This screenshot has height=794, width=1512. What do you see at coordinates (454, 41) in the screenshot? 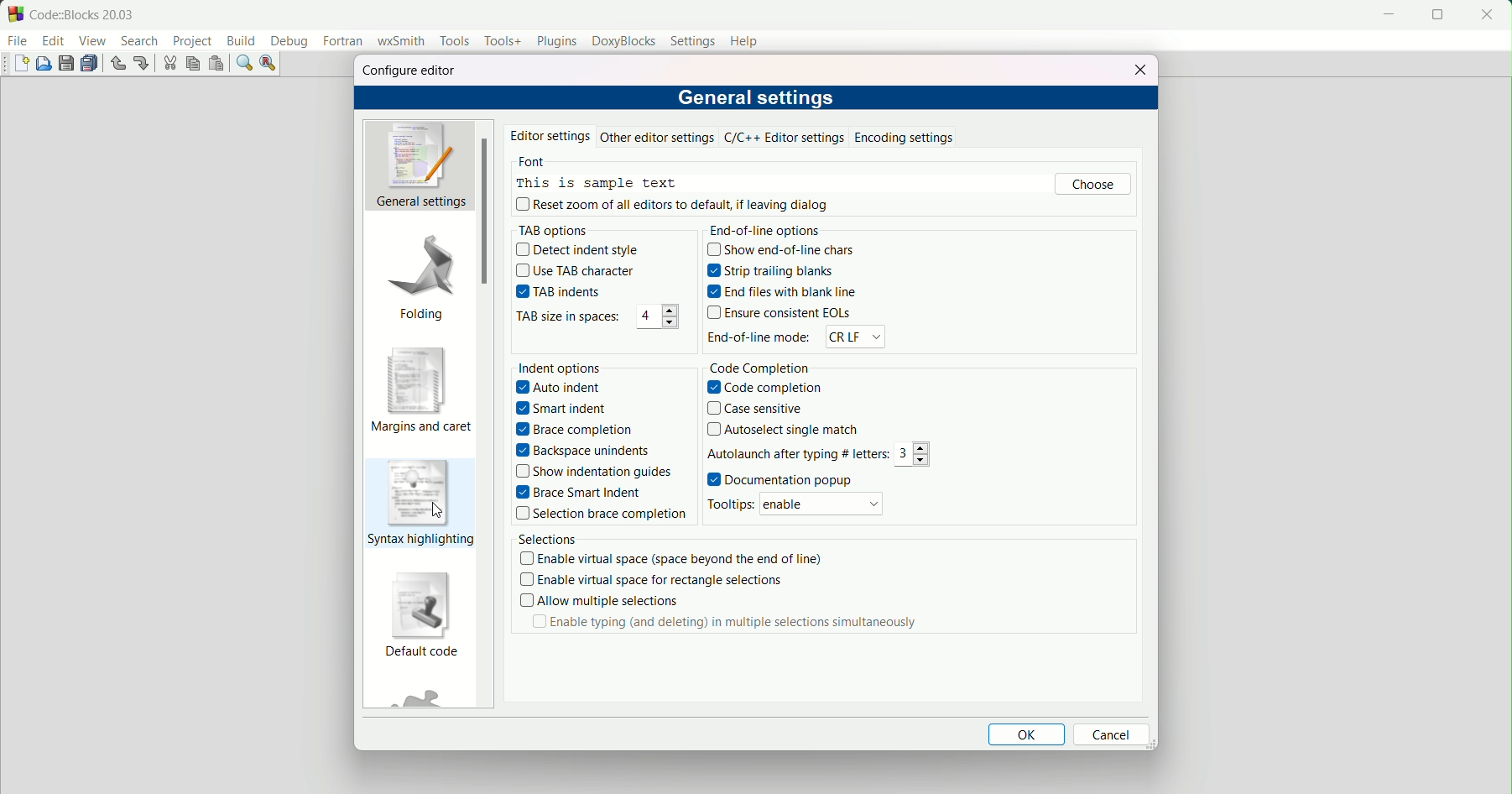
I see `tools` at bounding box center [454, 41].